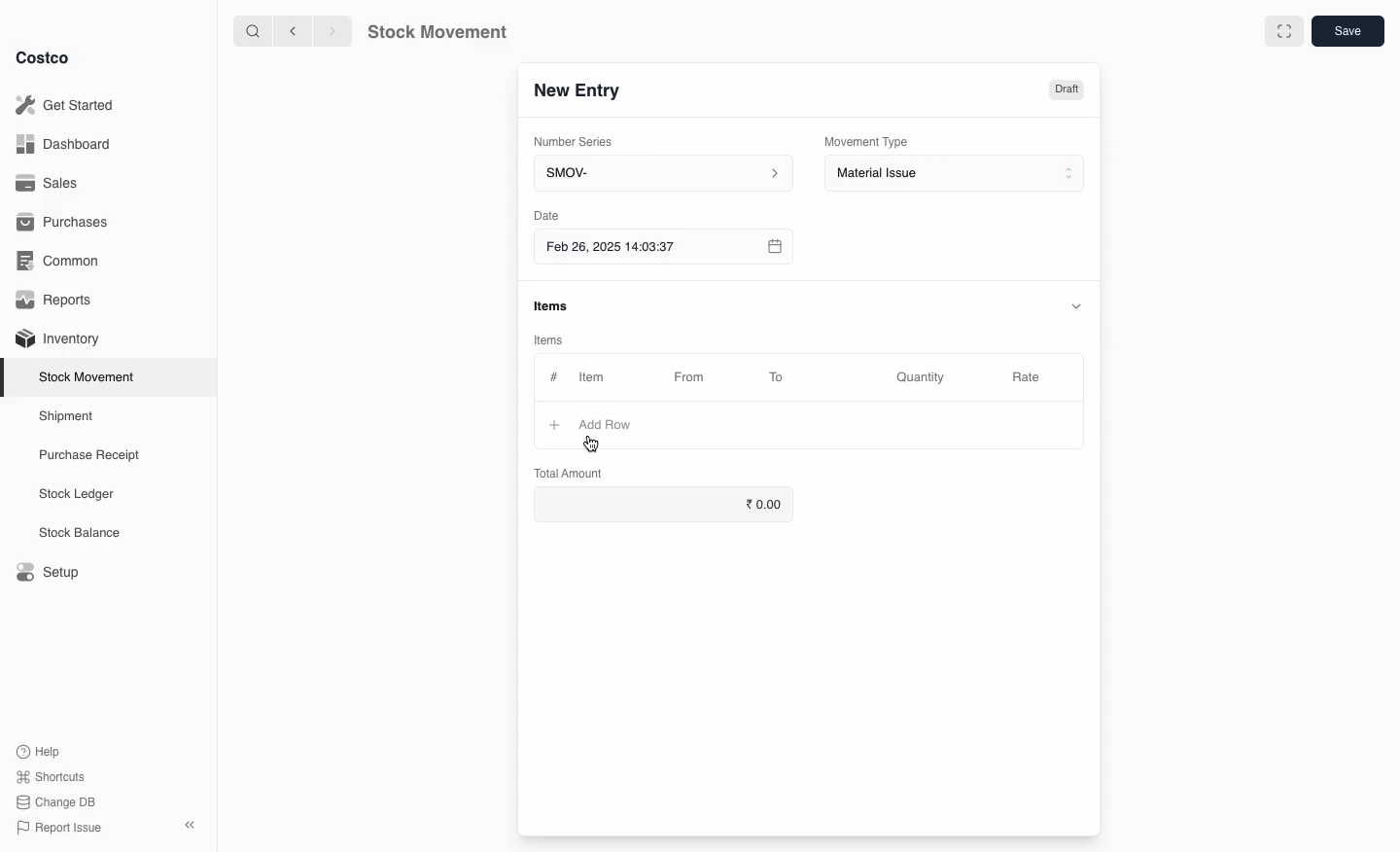 The height and width of the screenshot is (852, 1400). I want to click on Add Row, so click(608, 422).